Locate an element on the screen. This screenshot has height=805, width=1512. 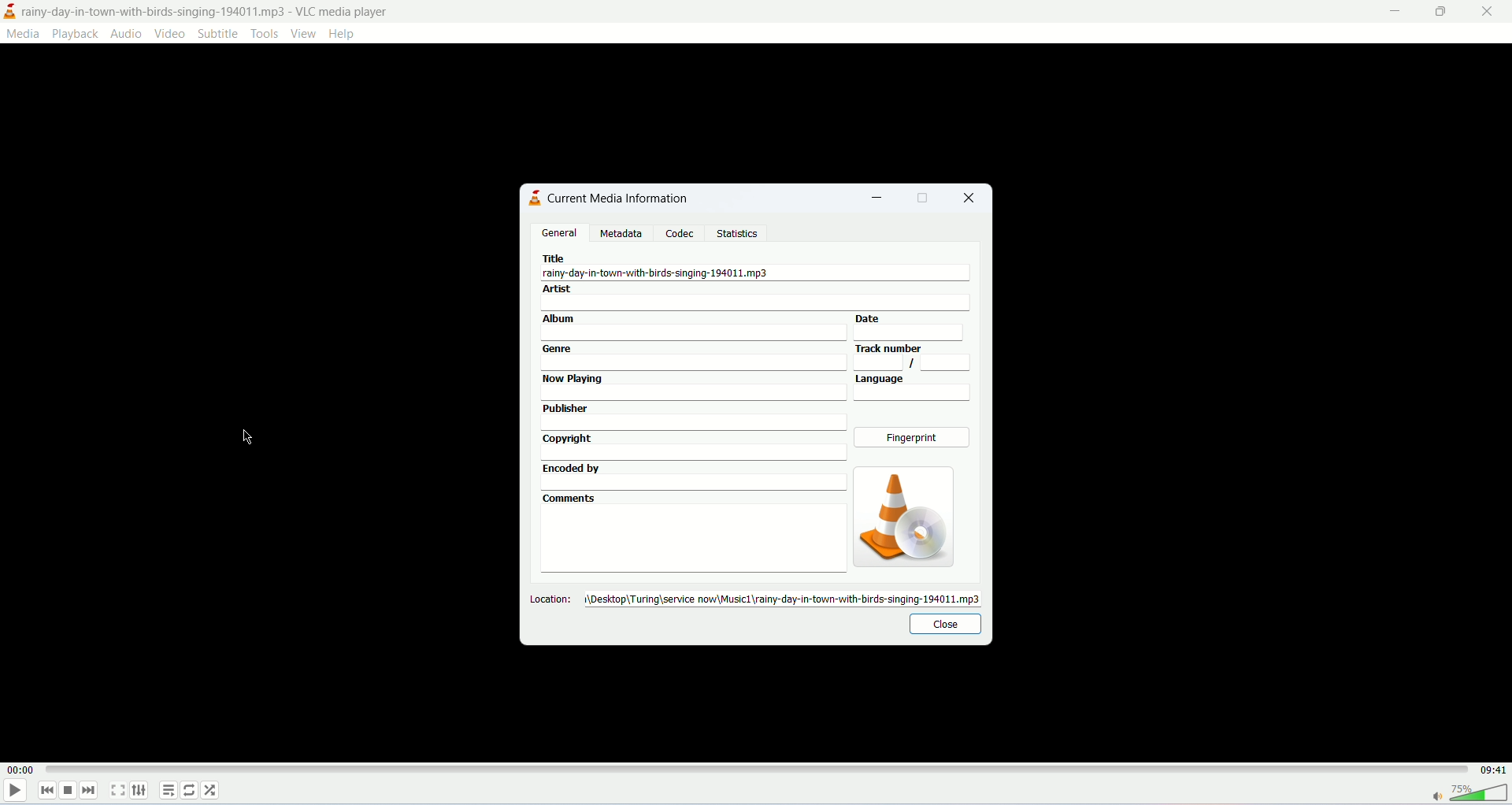
date is located at coordinates (910, 327).